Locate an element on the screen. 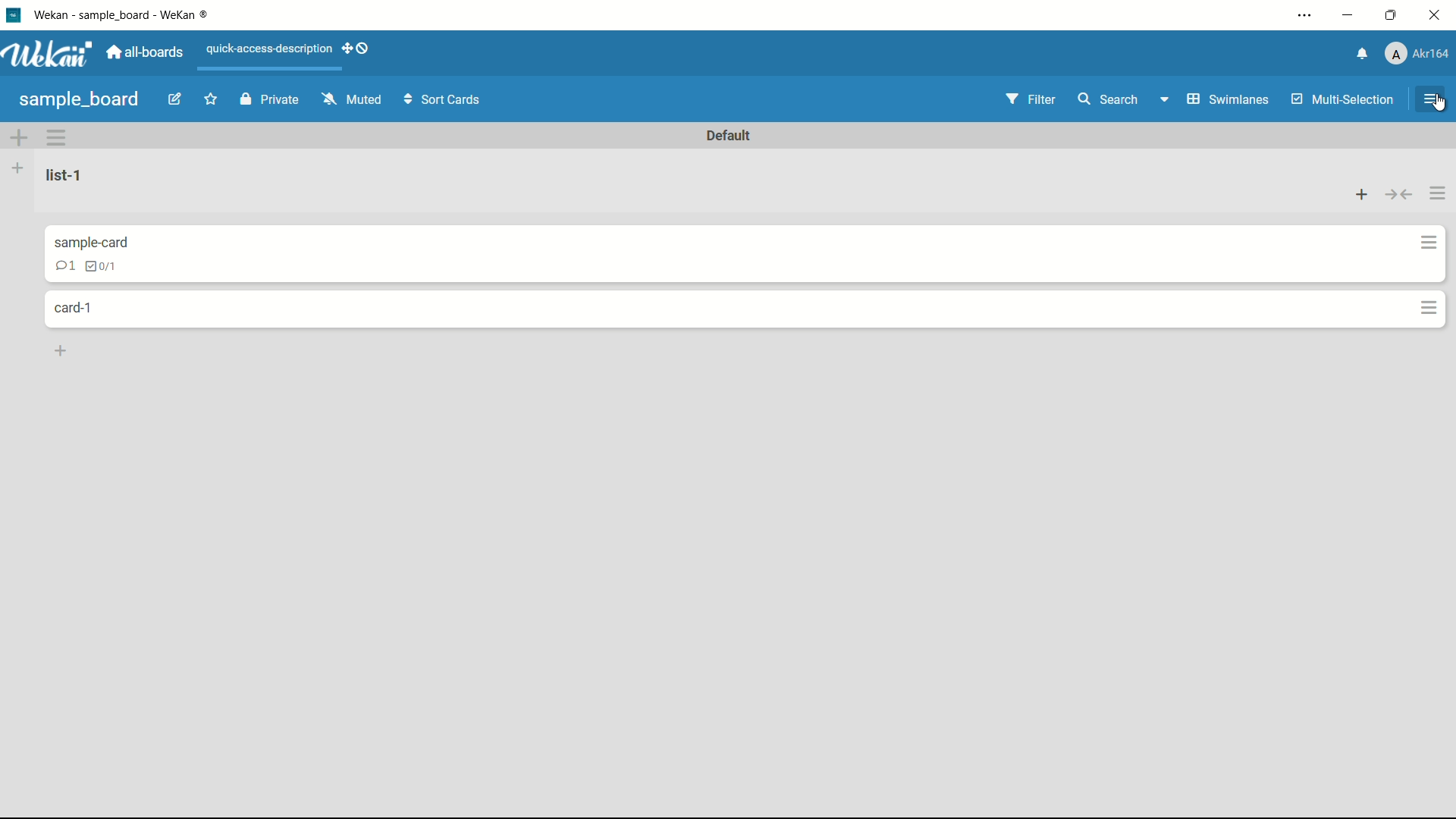  add swimlane is located at coordinates (19, 138).